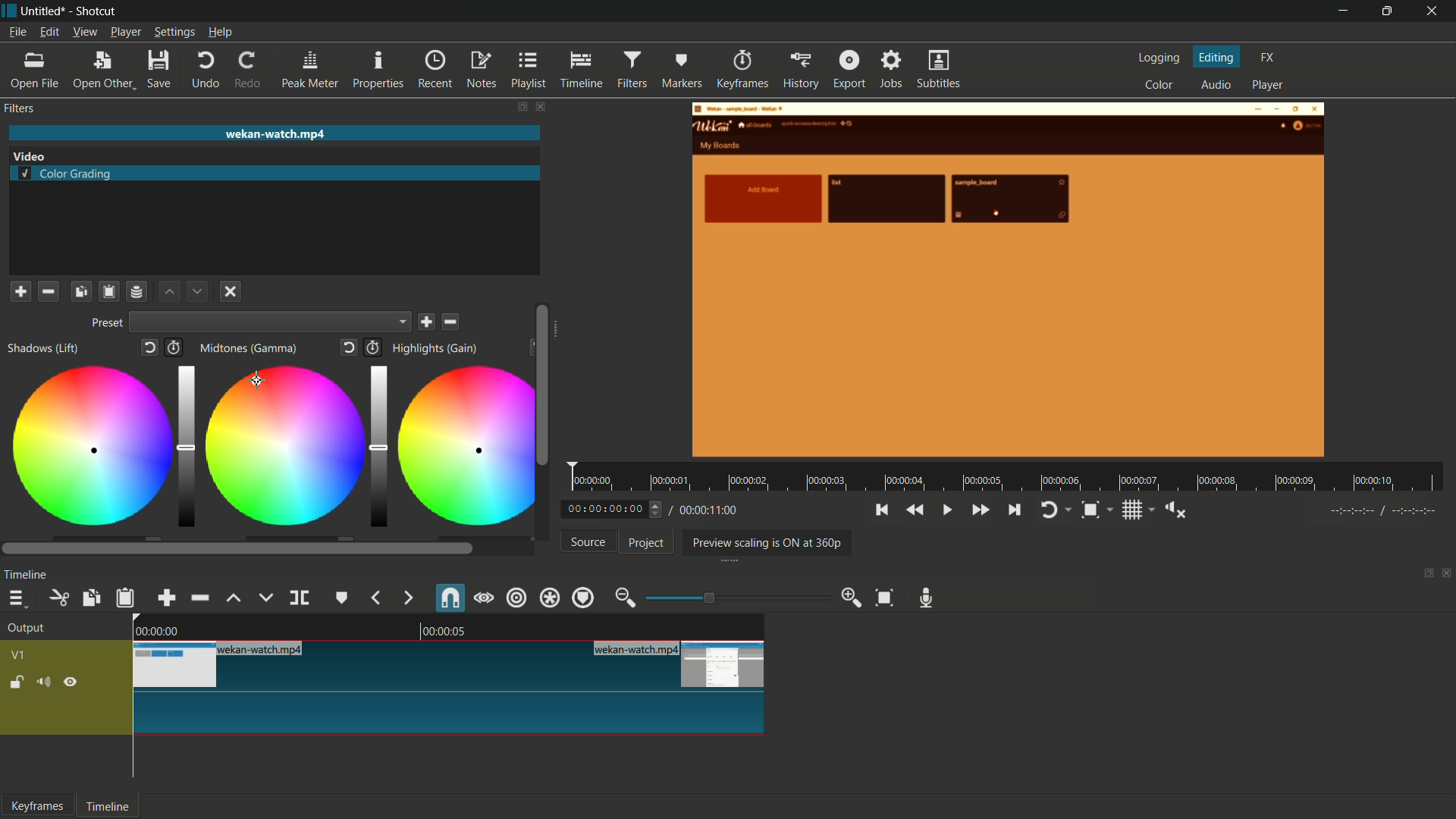  I want to click on adjustment bar, so click(187, 447).